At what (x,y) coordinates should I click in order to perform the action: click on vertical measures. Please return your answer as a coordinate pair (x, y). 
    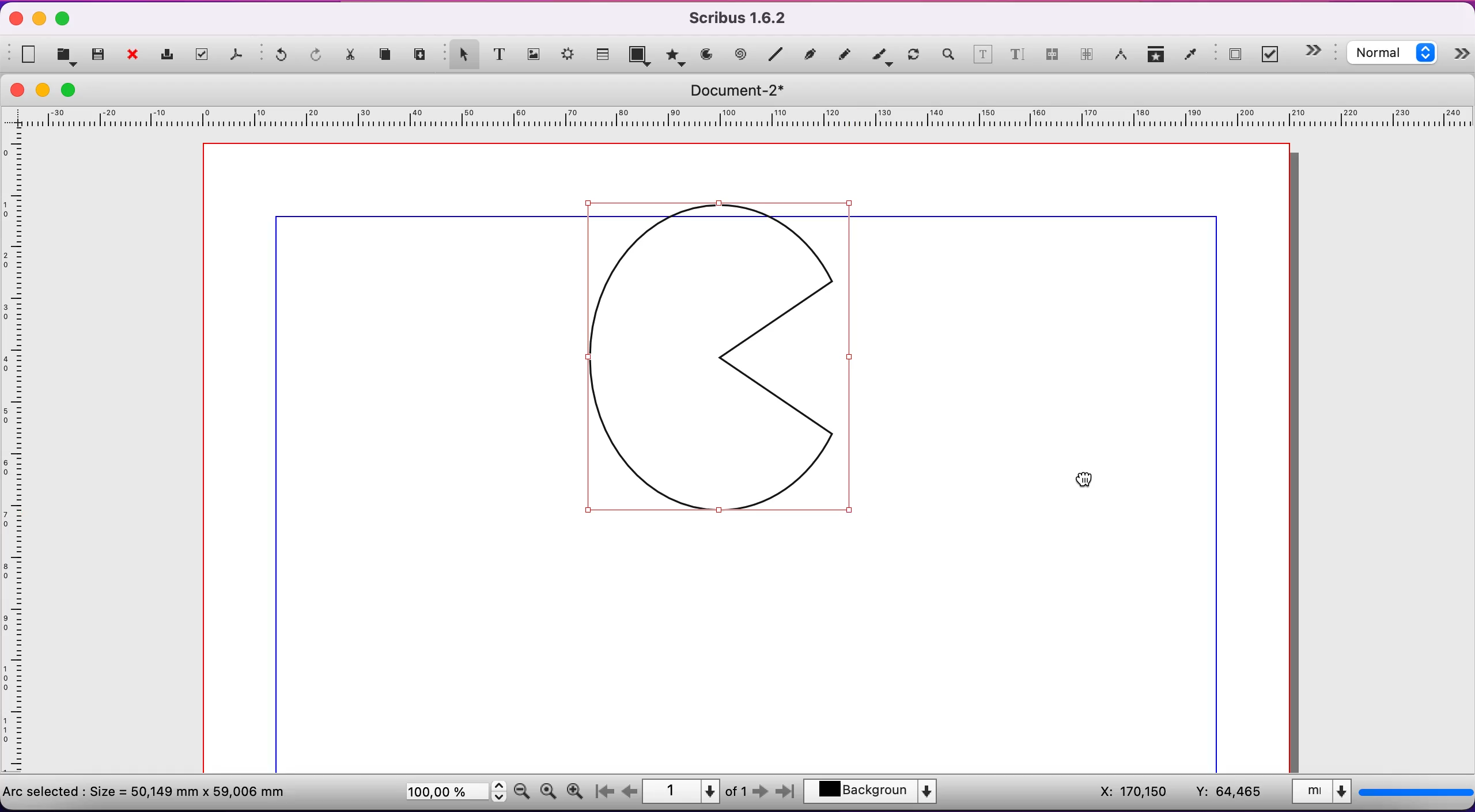
    Looking at the image, I should click on (17, 457).